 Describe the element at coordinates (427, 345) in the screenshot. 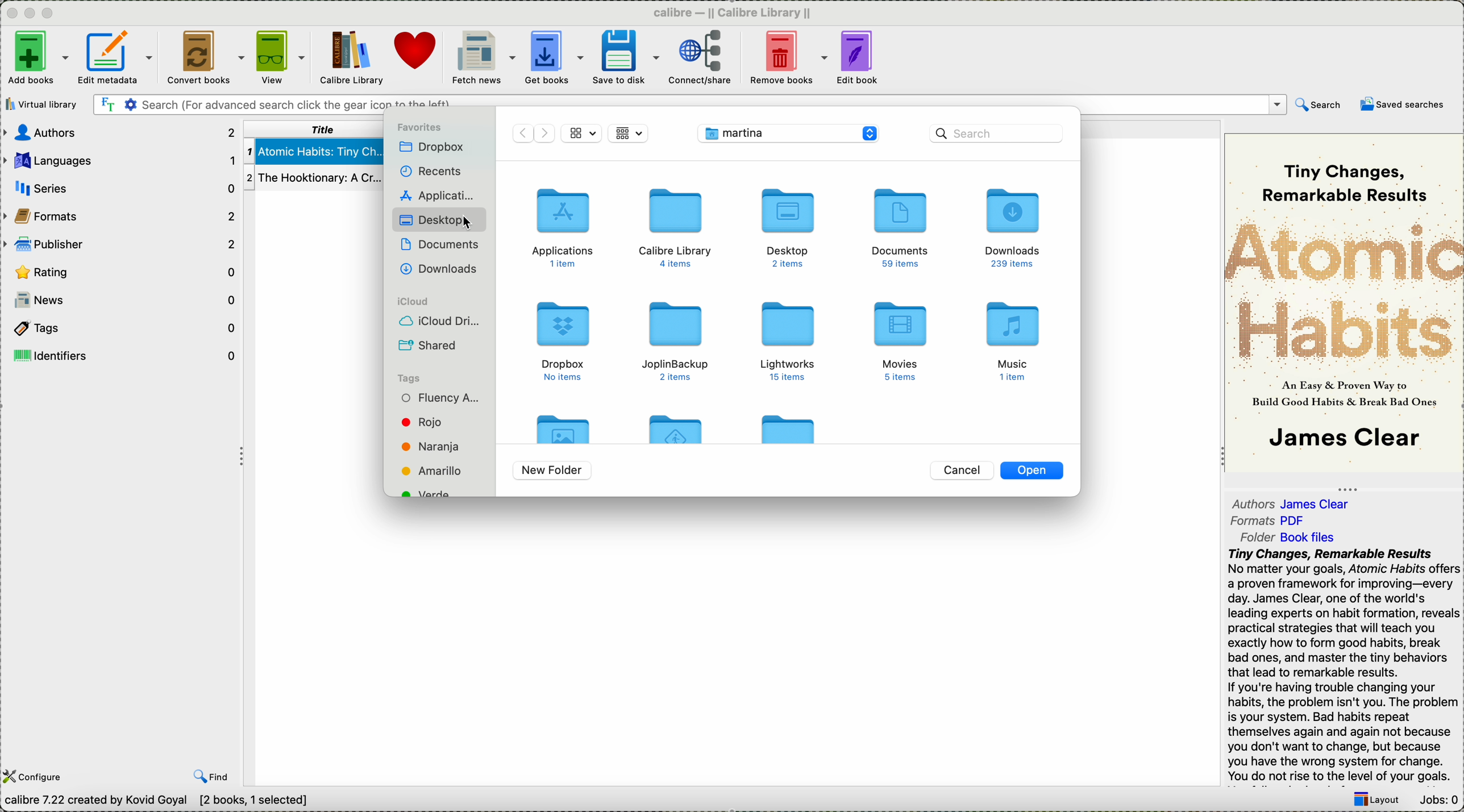

I see `shared` at that location.